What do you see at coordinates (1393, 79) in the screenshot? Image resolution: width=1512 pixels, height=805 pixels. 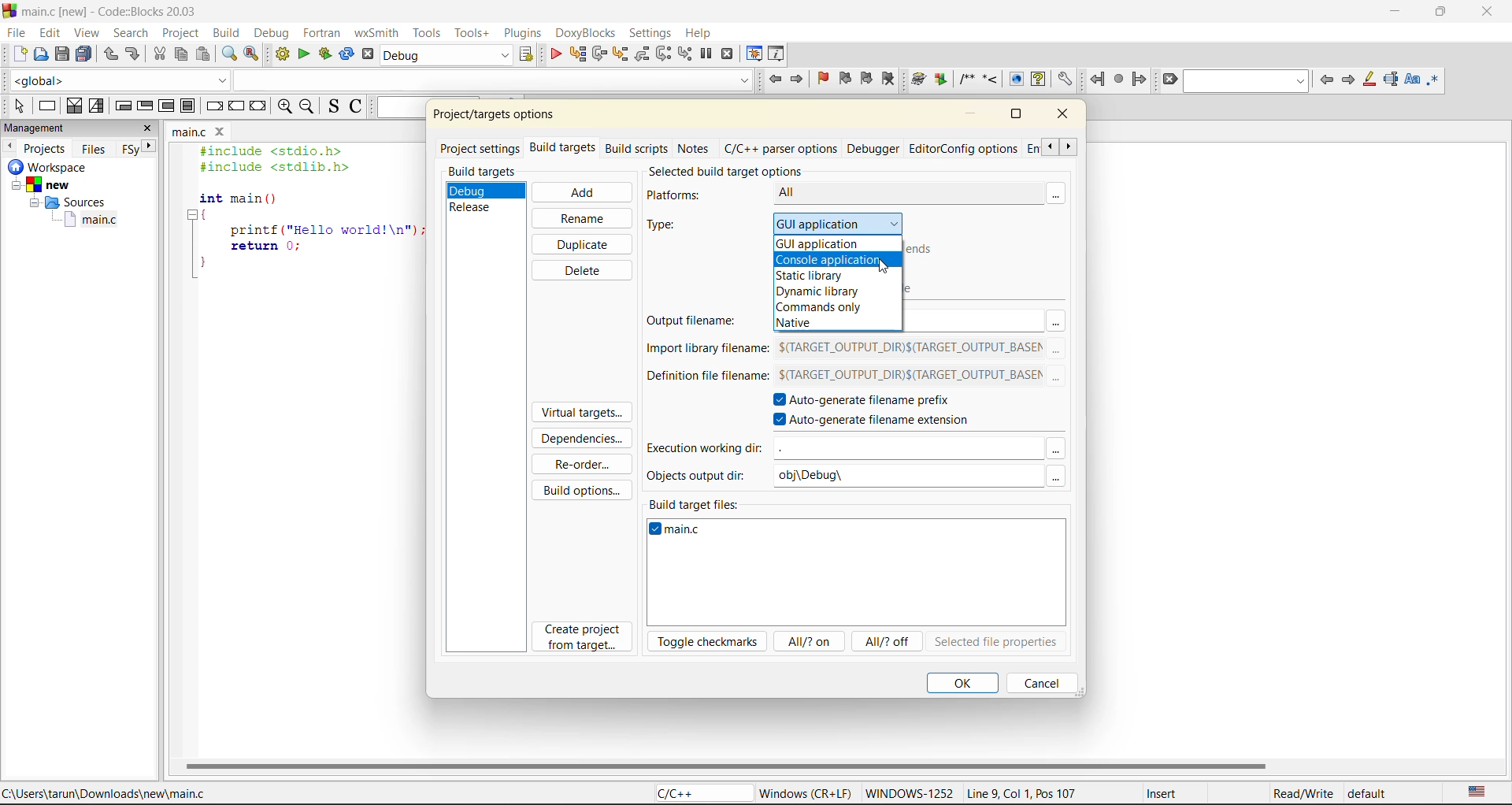 I see `selected text` at bounding box center [1393, 79].